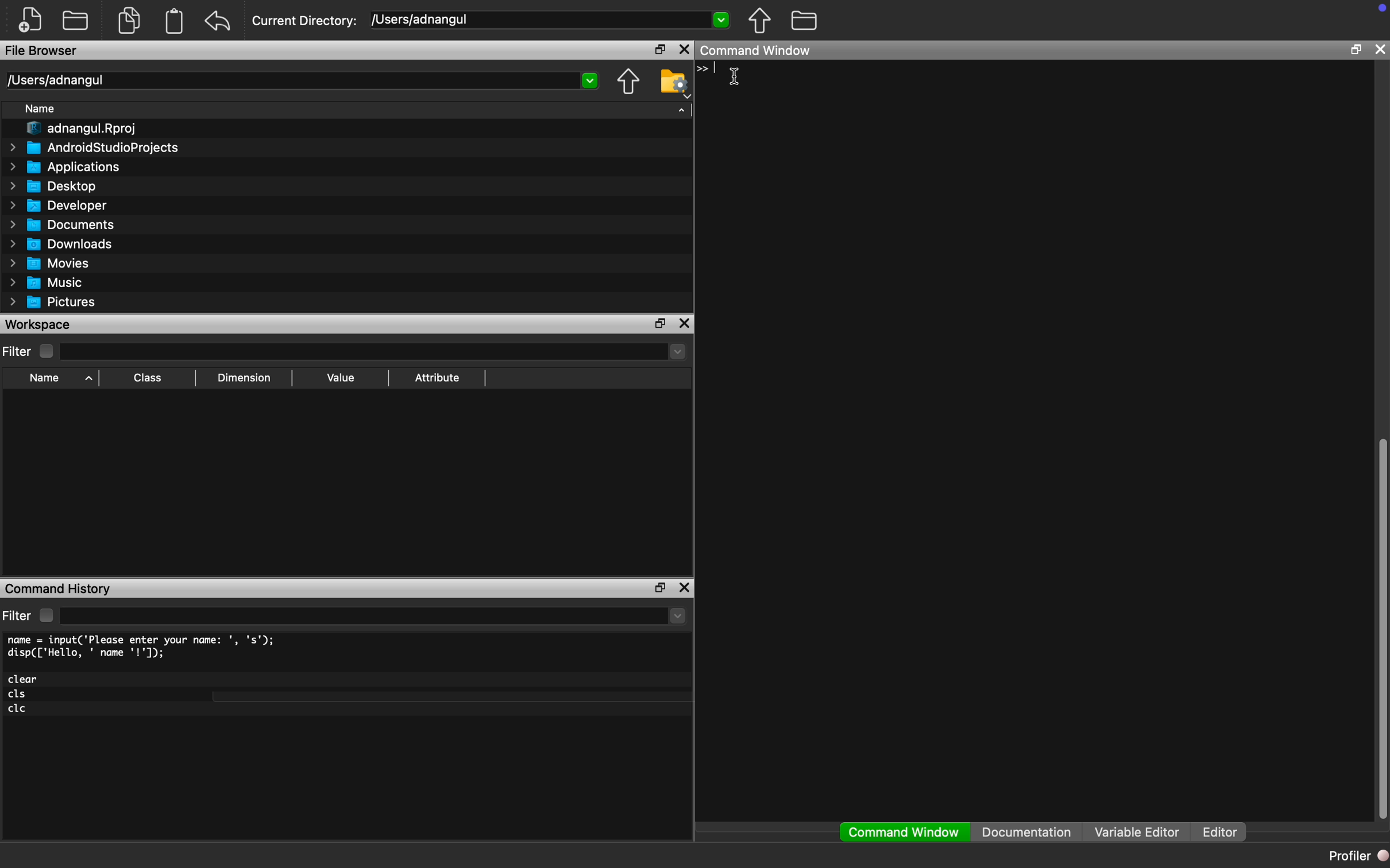 The width and height of the screenshot is (1390, 868). I want to click on Dimension, so click(244, 378).